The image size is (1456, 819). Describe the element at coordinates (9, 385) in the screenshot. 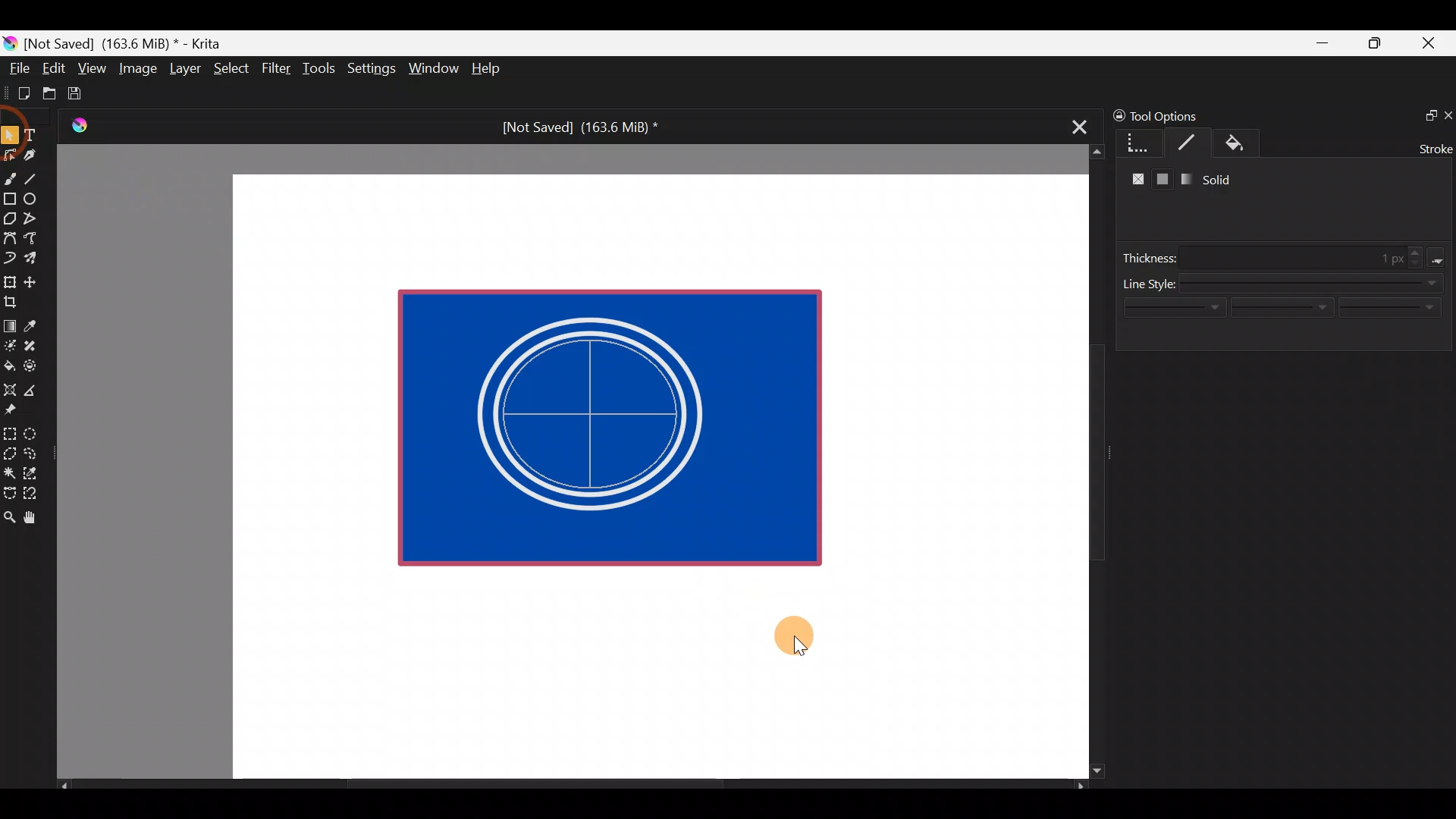

I see `Assistant tool` at that location.